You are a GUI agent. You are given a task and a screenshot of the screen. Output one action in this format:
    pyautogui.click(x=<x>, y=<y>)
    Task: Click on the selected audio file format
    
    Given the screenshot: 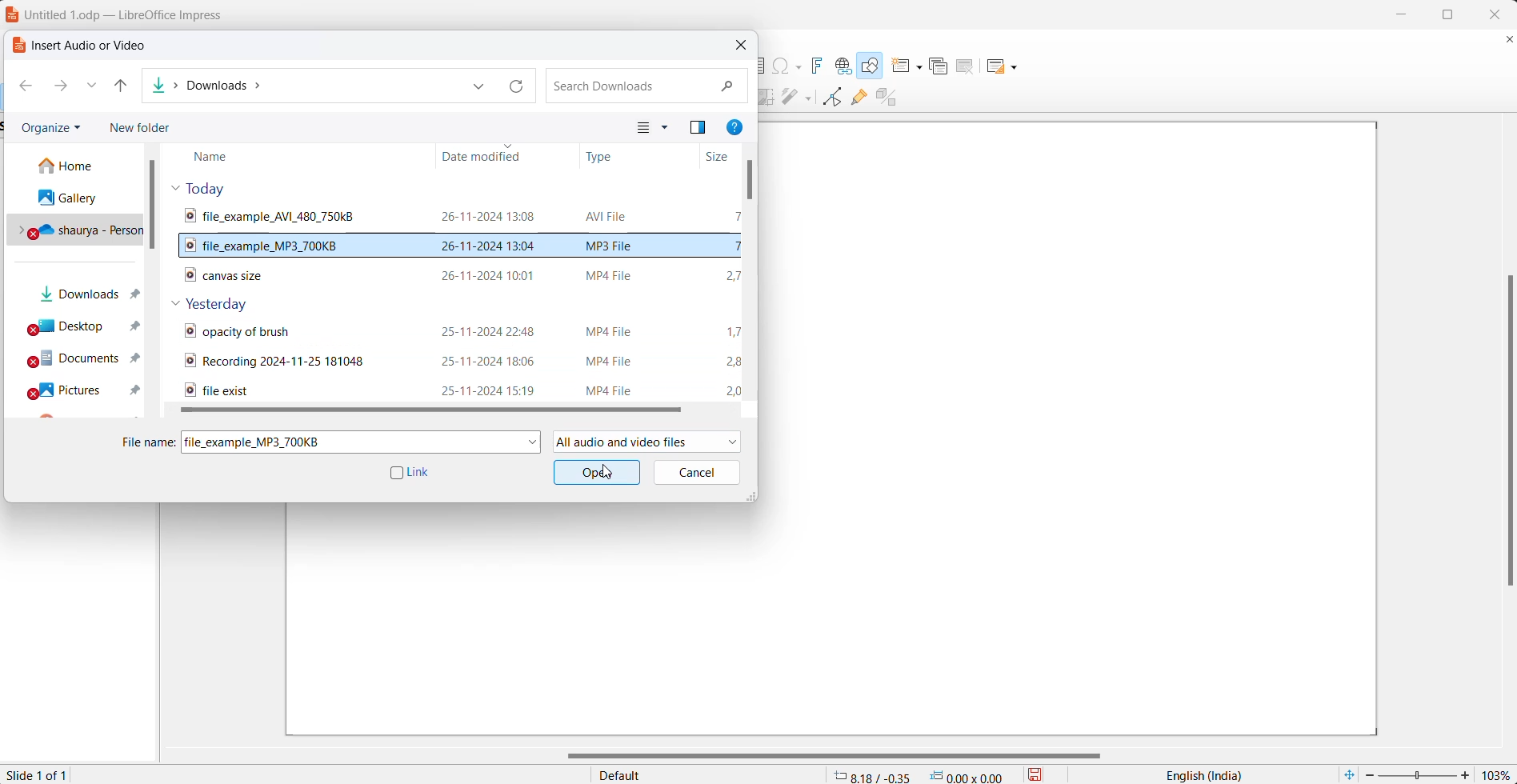 What is the action you would take?
    pyautogui.click(x=638, y=246)
    